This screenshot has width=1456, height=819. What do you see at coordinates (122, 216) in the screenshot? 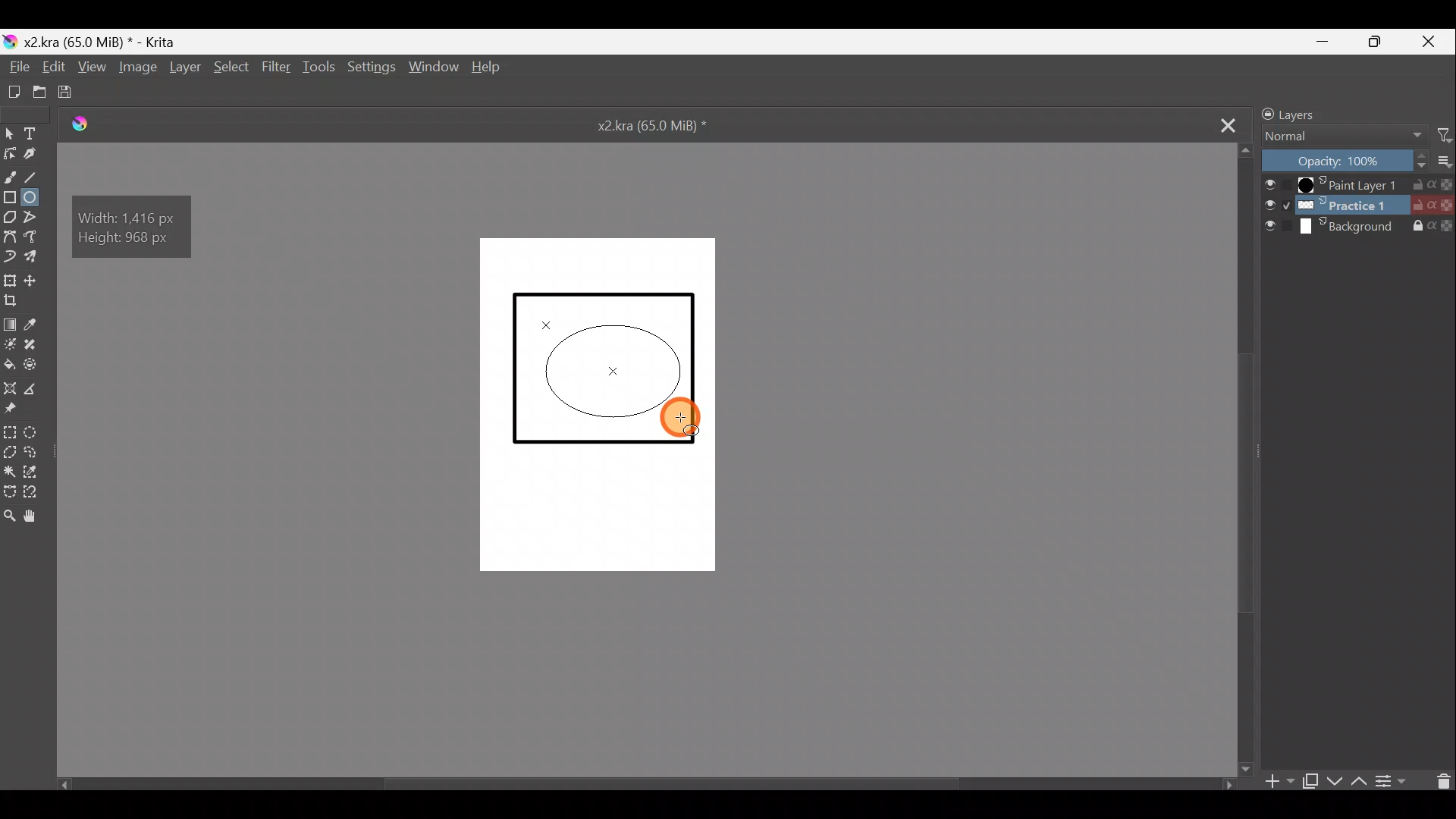
I see `Width:0px` at bounding box center [122, 216].